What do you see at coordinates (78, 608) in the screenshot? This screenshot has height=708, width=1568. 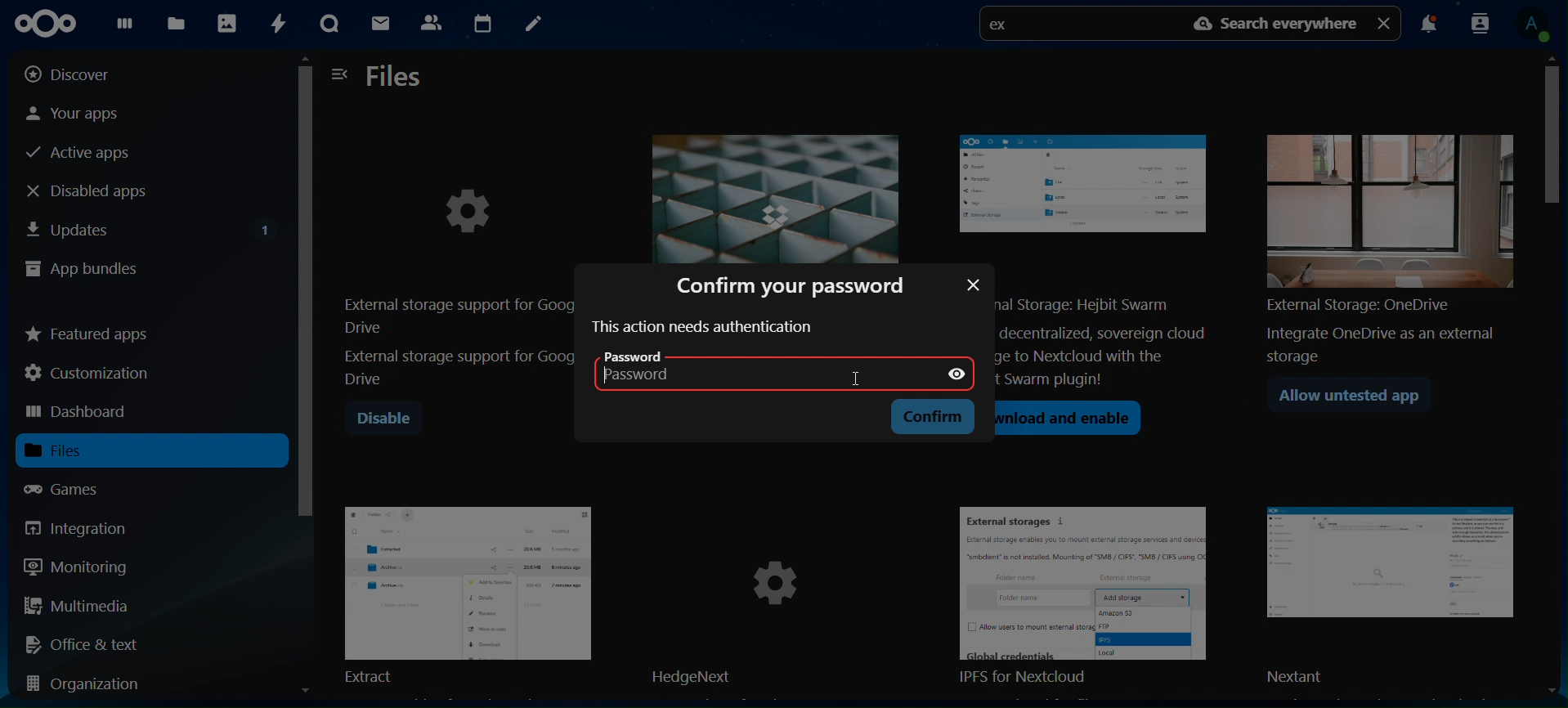 I see `multimedia` at bounding box center [78, 608].